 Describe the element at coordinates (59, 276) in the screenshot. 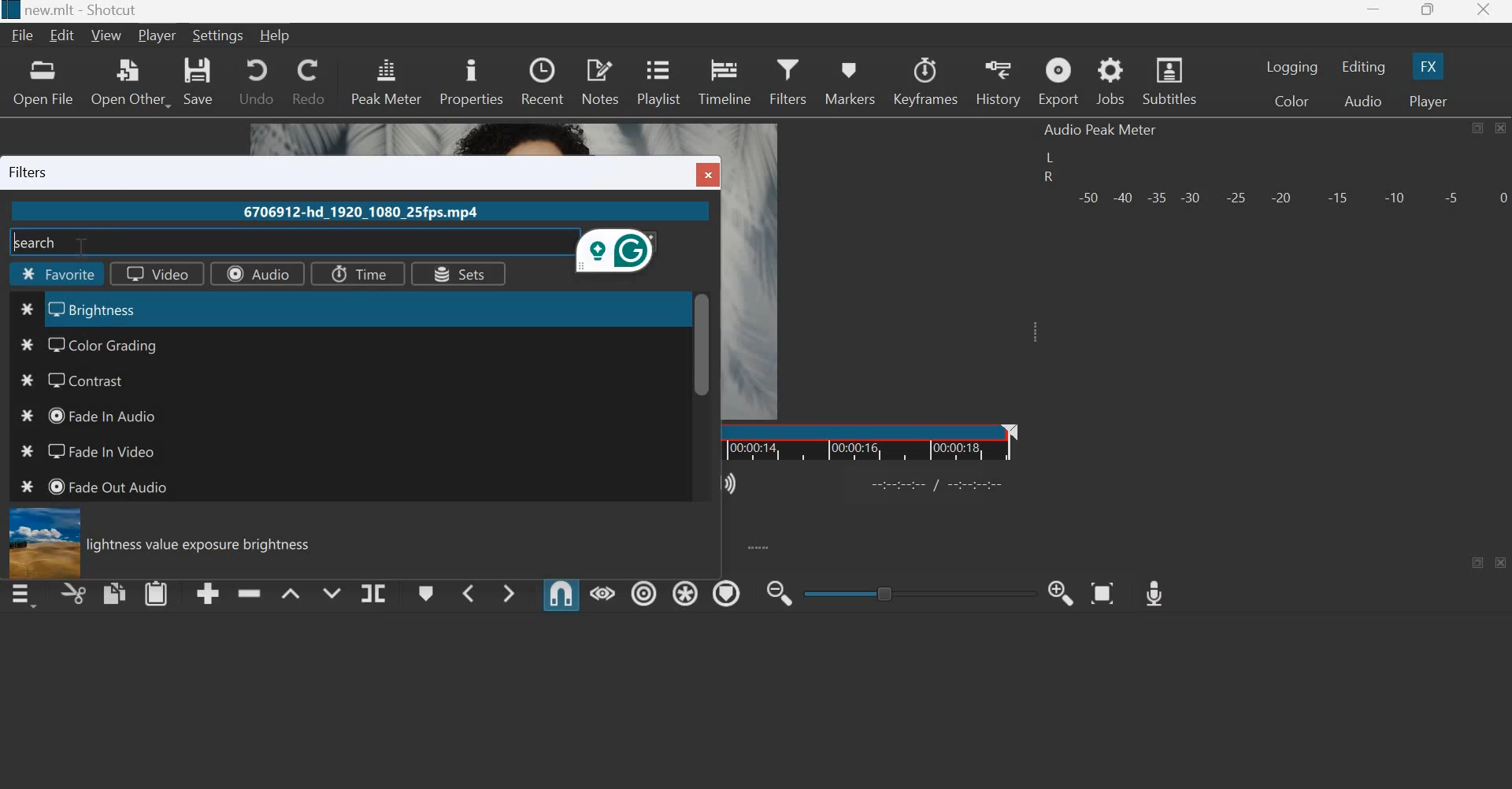

I see `Favorite` at that location.